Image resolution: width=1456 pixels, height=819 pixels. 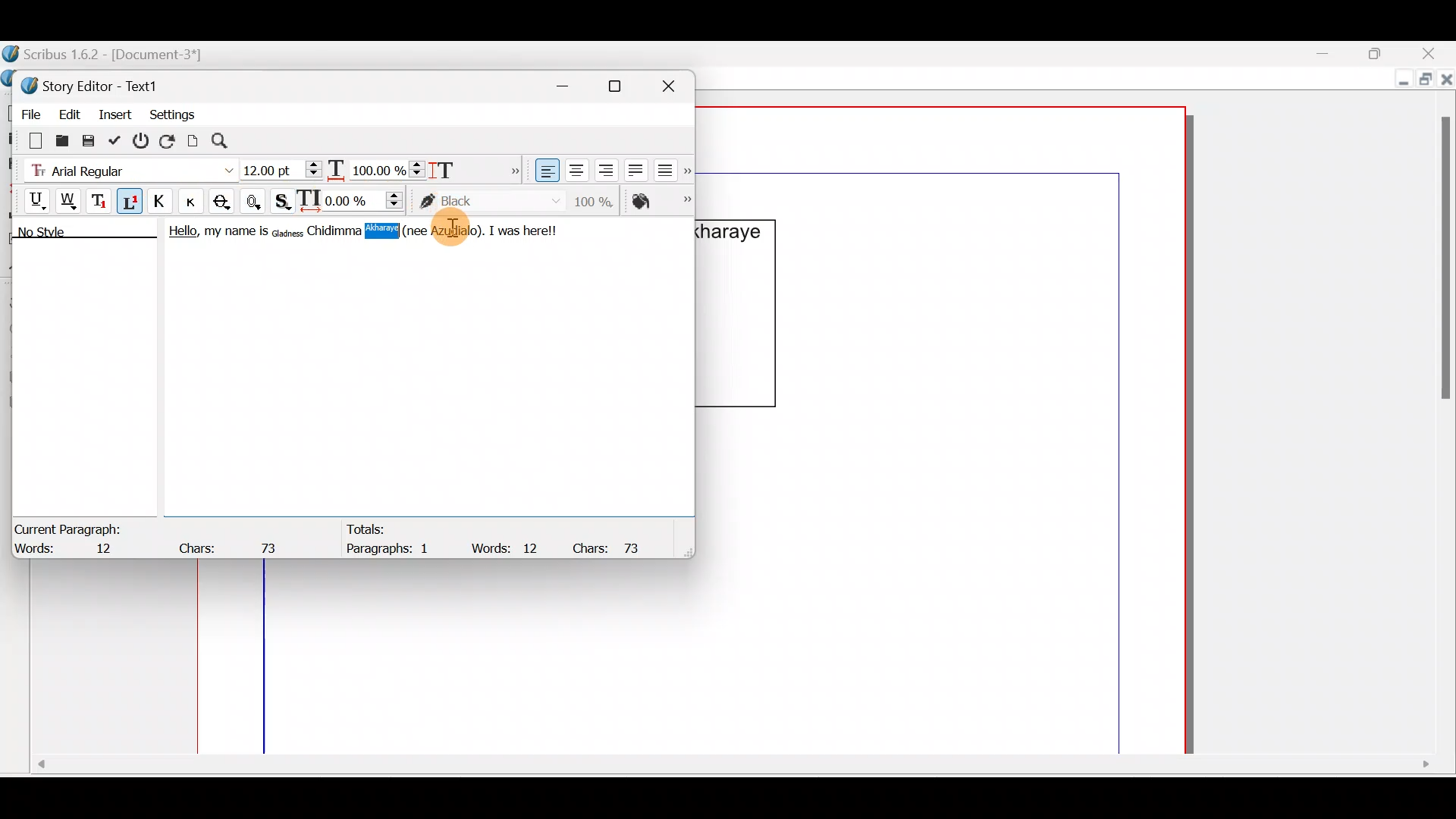 What do you see at coordinates (169, 140) in the screenshot?
I see `Reload text from frame` at bounding box center [169, 140].